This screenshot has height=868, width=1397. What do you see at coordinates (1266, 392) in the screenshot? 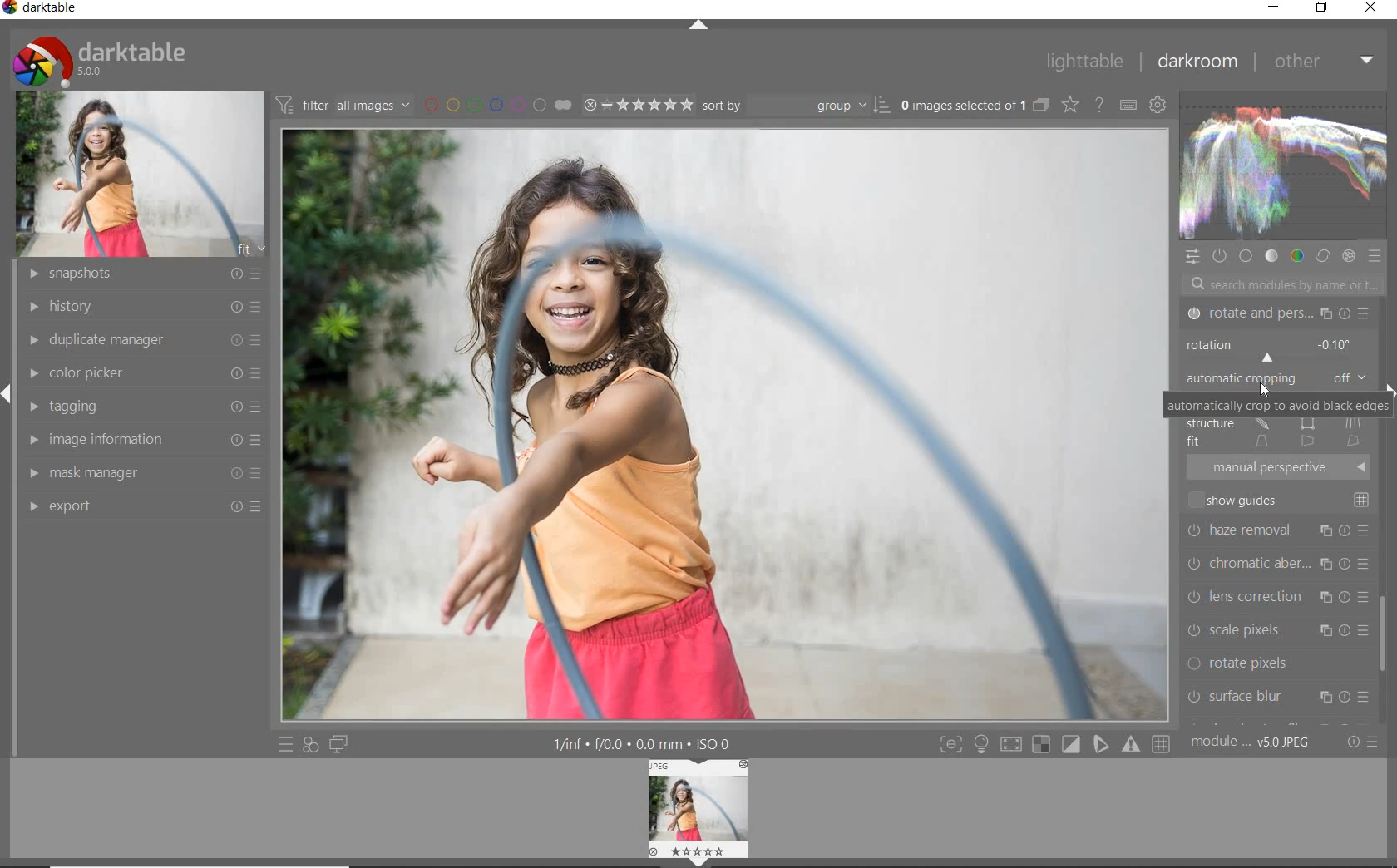
I see `CURSOR POSITION` at bounding box center [1266, 392].